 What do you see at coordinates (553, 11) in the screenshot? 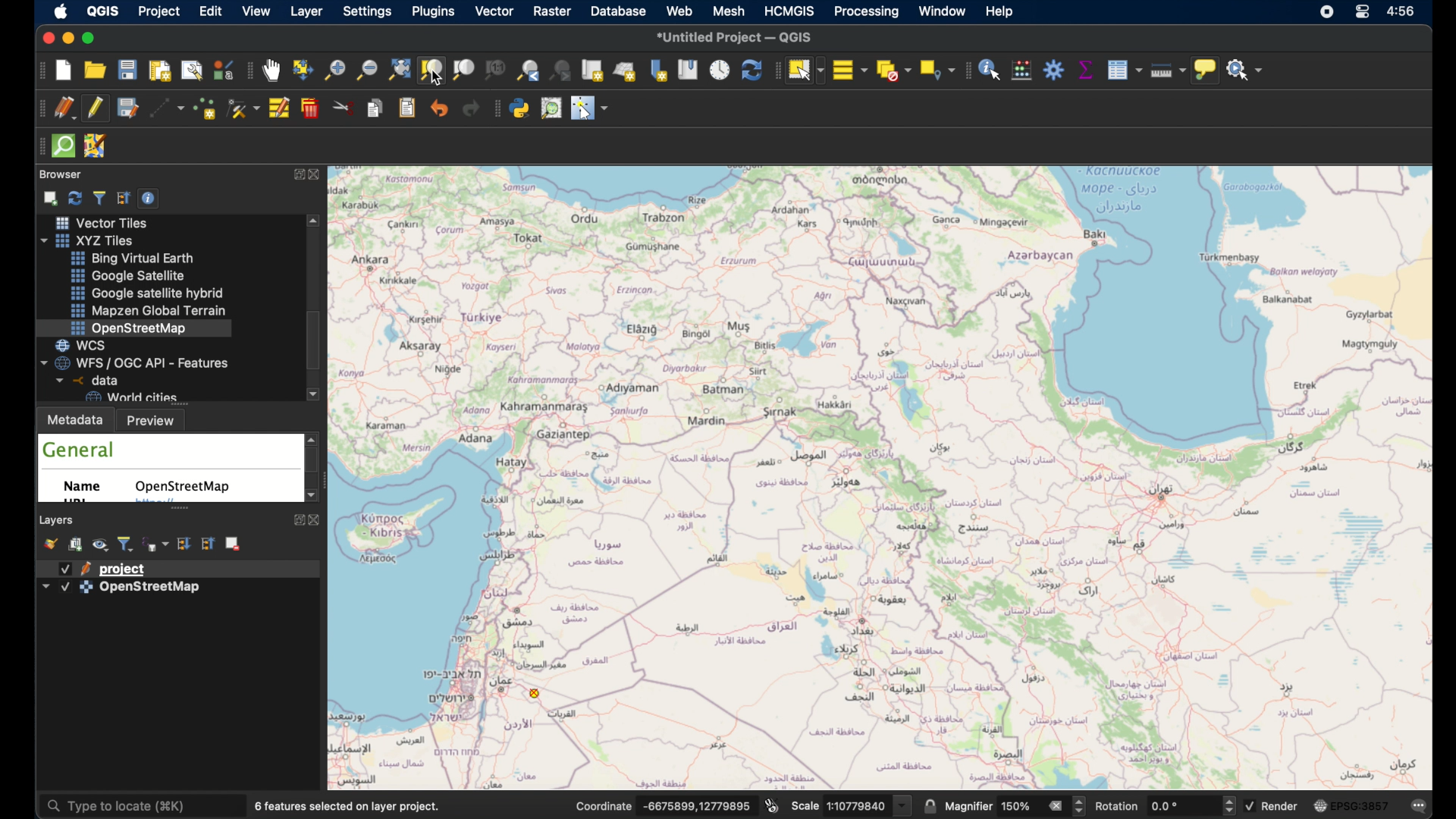
I see `raster` at bounding box center [553, 11].